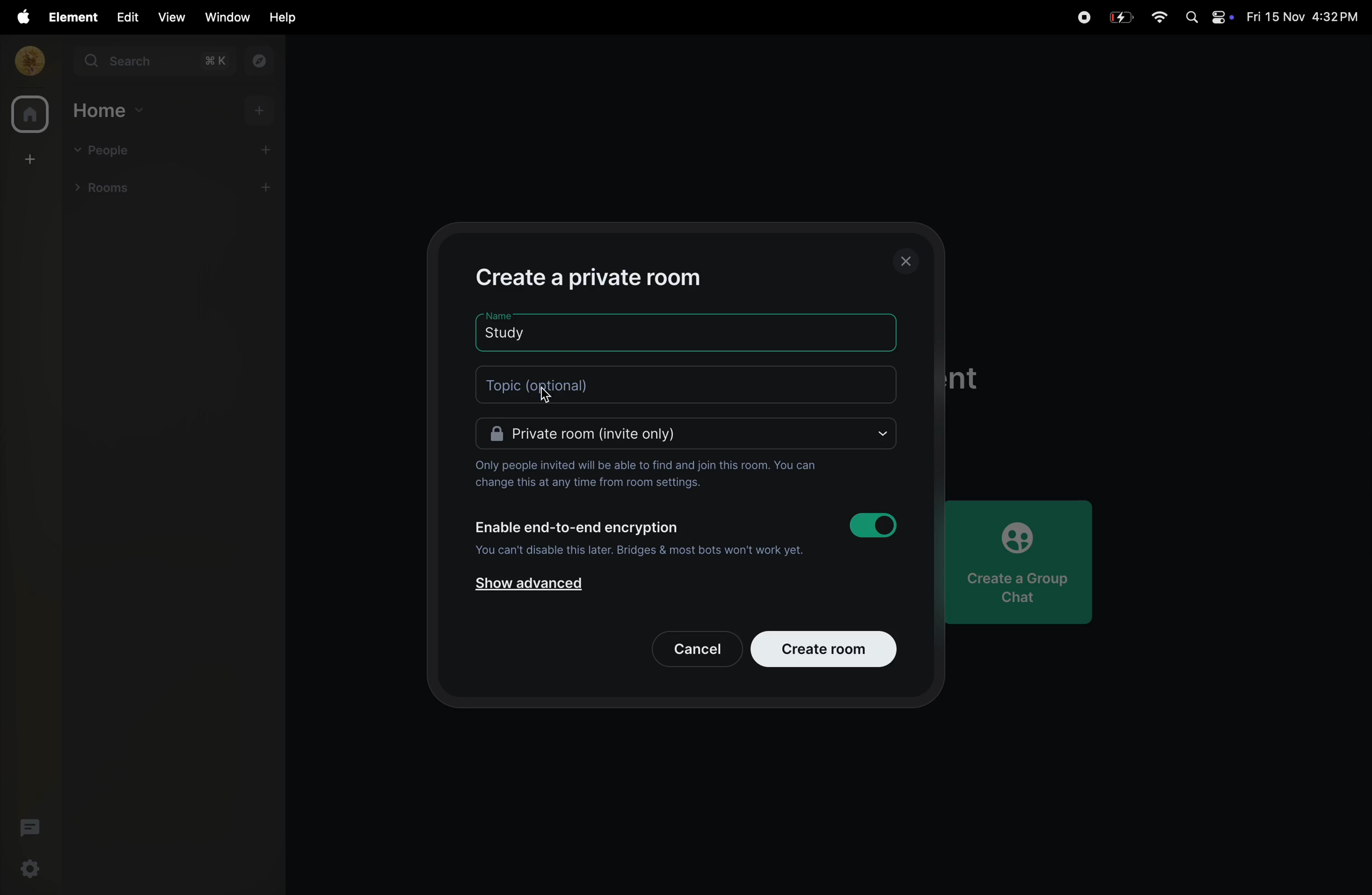 This screenshot has height=895, width=1372. I want to click on threads, so click(28, 827).